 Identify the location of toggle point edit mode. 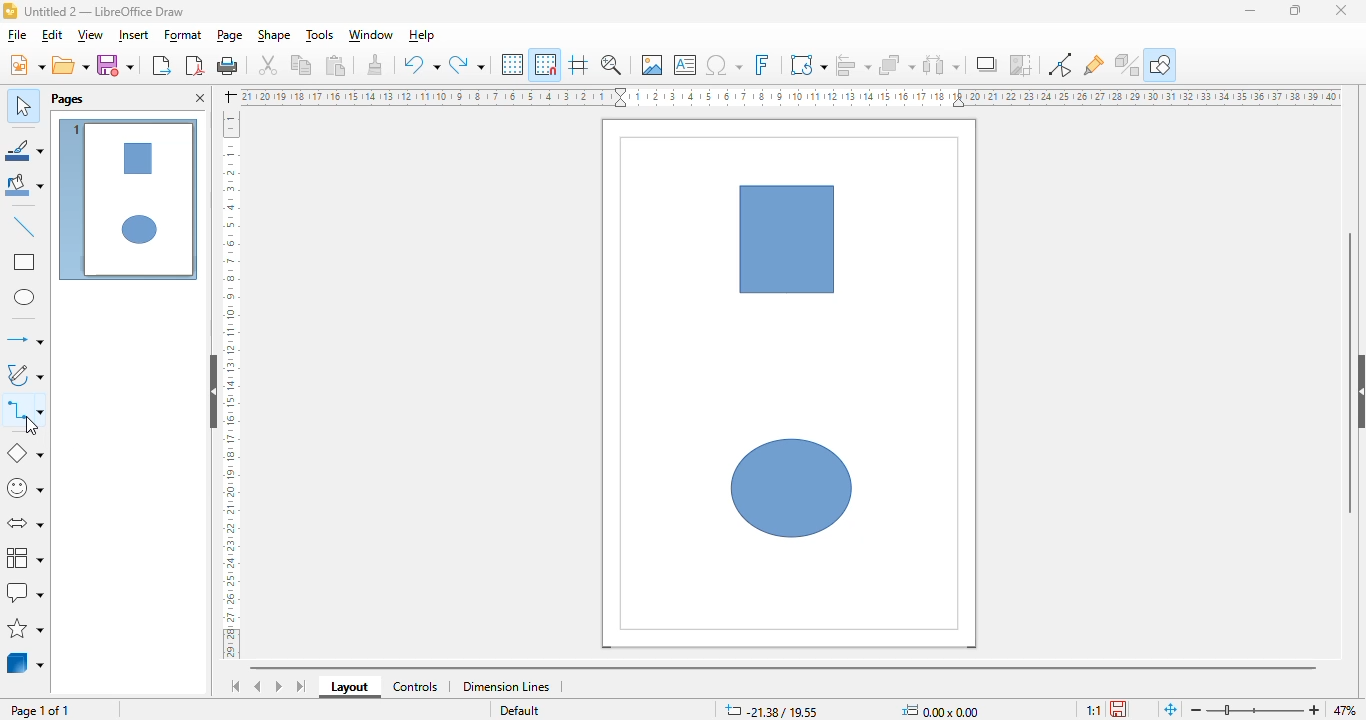
(1061, 65).